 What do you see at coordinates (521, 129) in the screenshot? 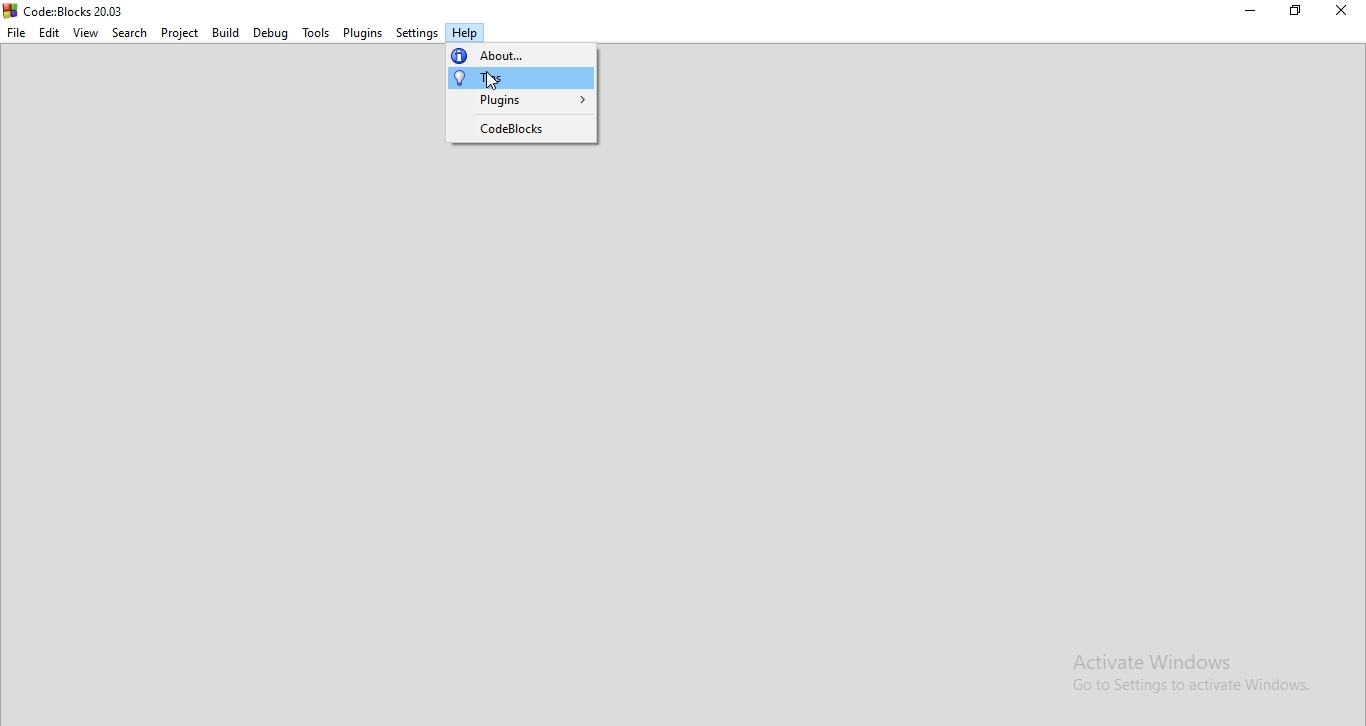
I see `codeblocks` at bounding box center [521, 129].